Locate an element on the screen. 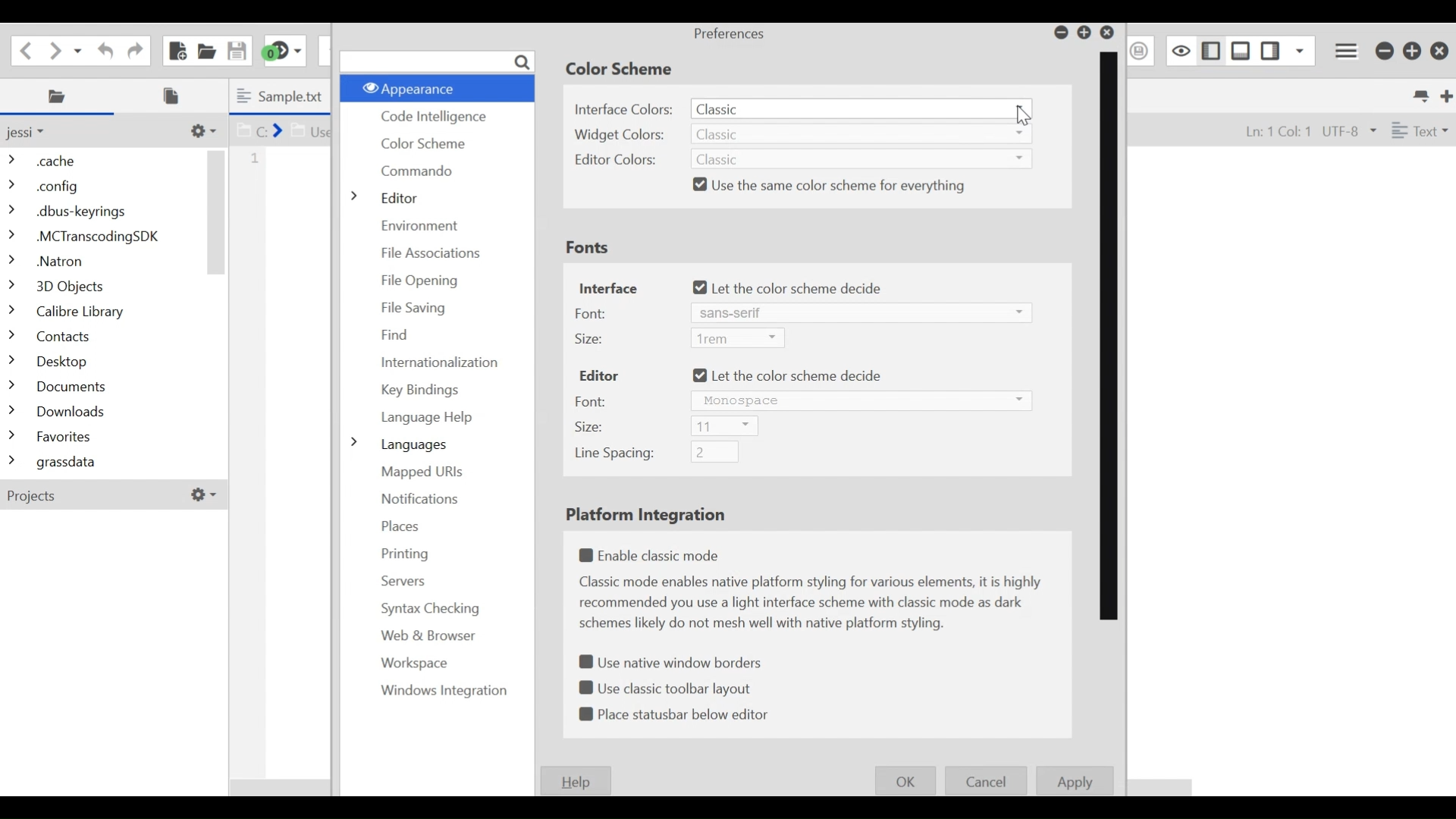 The image size is (1456, 819). Editor is located at coordinates (393, 196).